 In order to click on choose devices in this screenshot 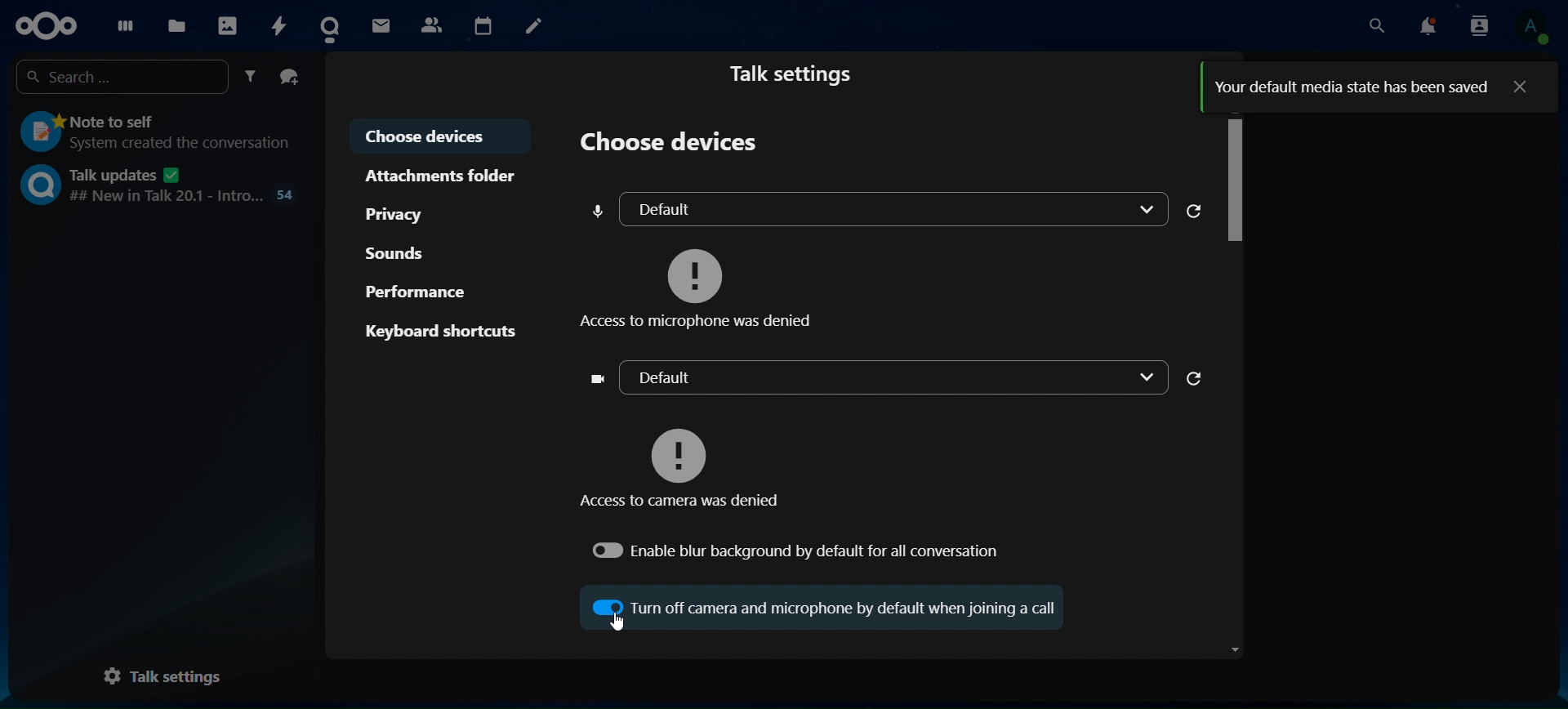, I will do `click(441, 136)`.